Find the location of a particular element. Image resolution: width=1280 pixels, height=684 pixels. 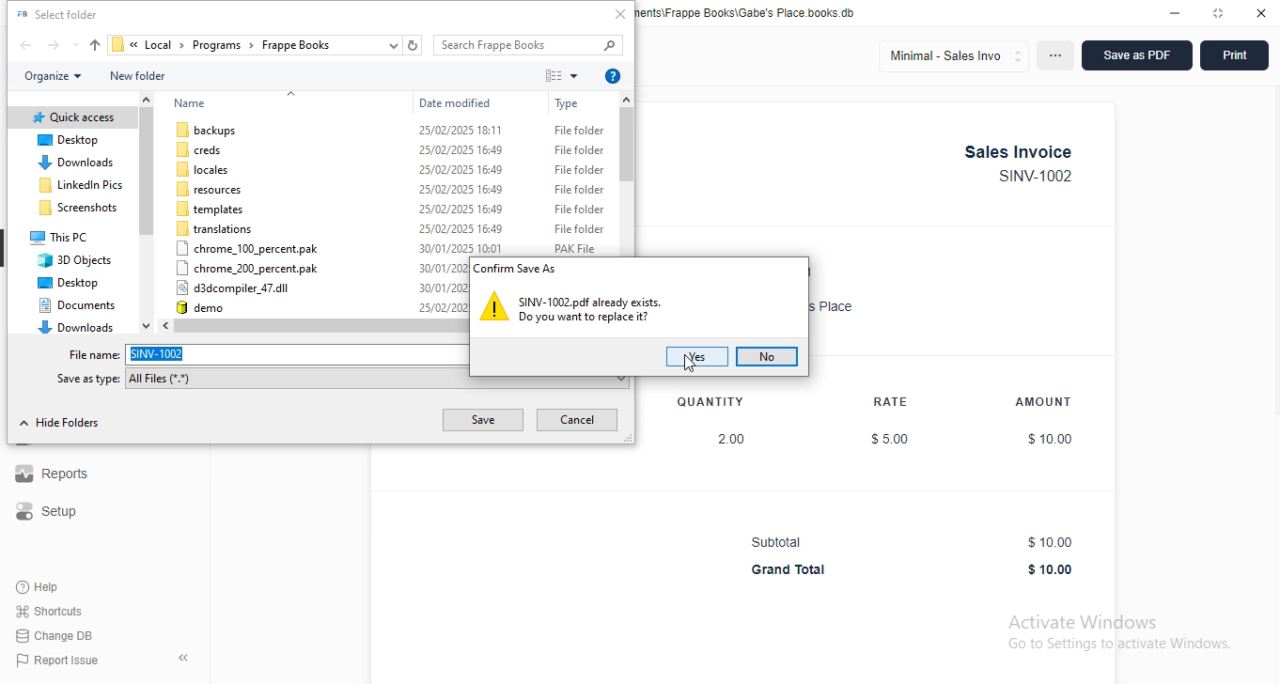

this PC is located at coordinates (59, 238).